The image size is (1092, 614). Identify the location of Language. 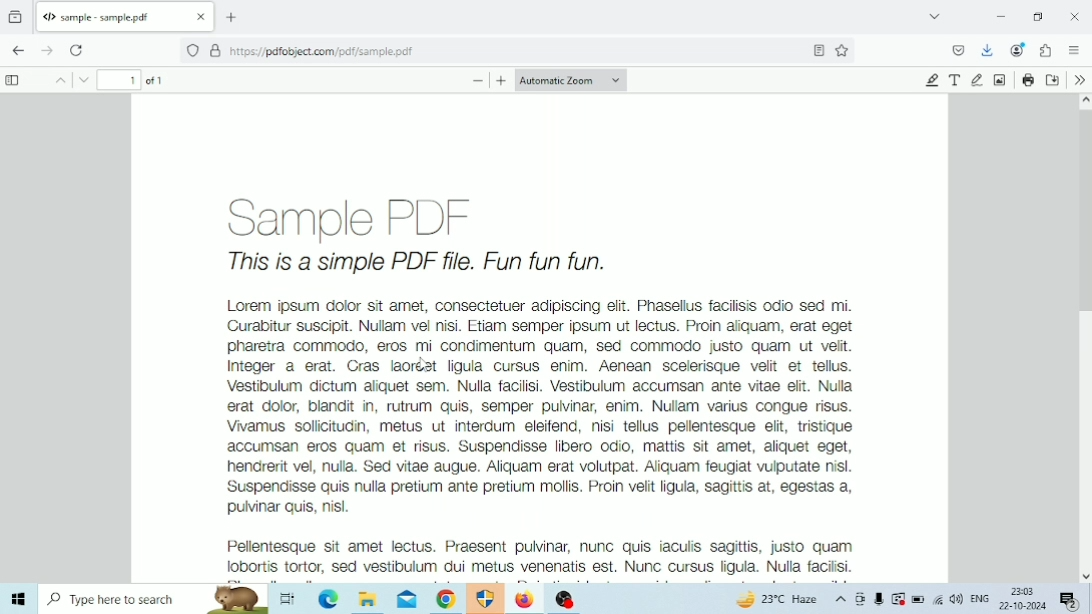
(981, 598).